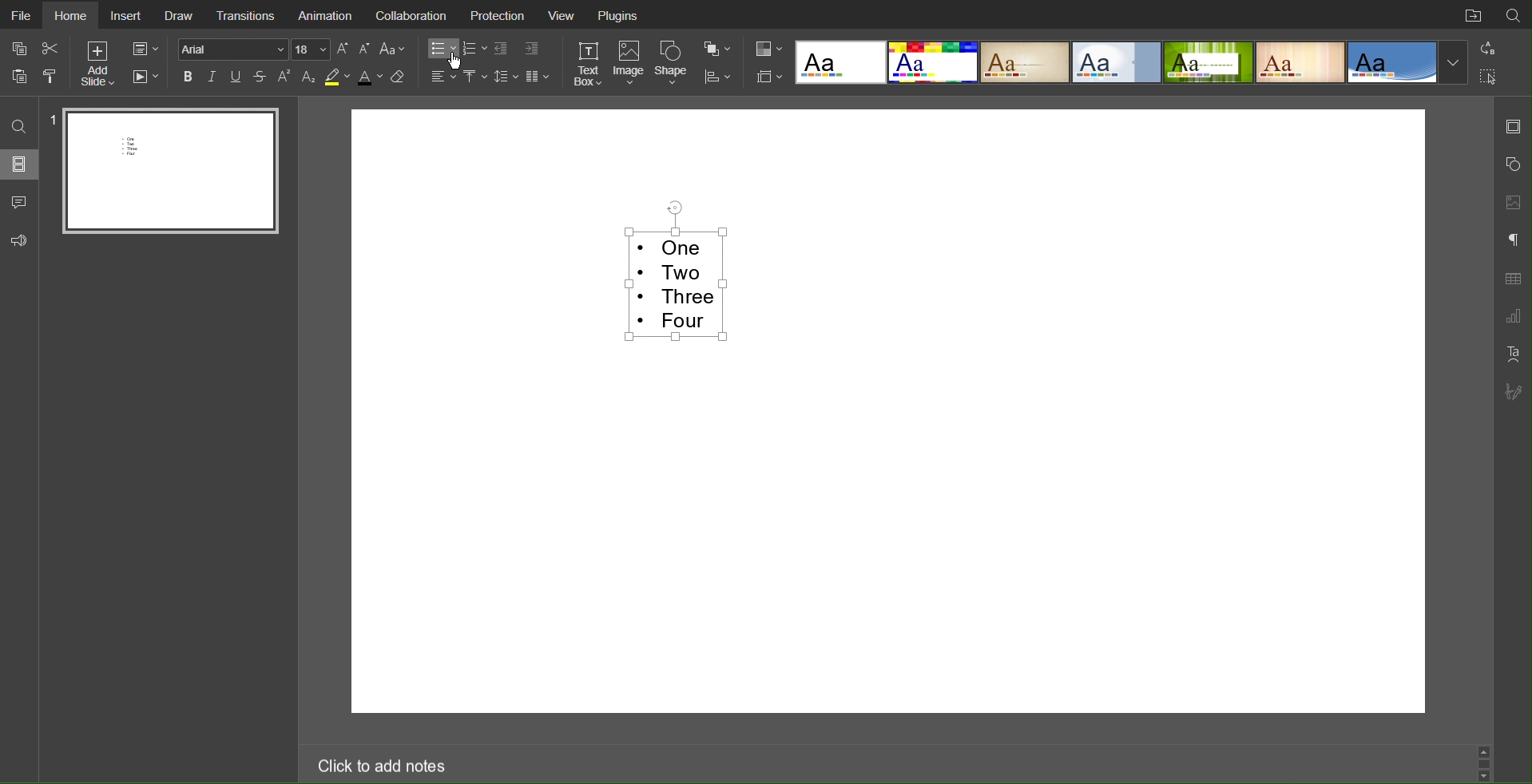  Describe the element at coordinates (443, 77) in the screenshot. I see `Alignment` at that location.